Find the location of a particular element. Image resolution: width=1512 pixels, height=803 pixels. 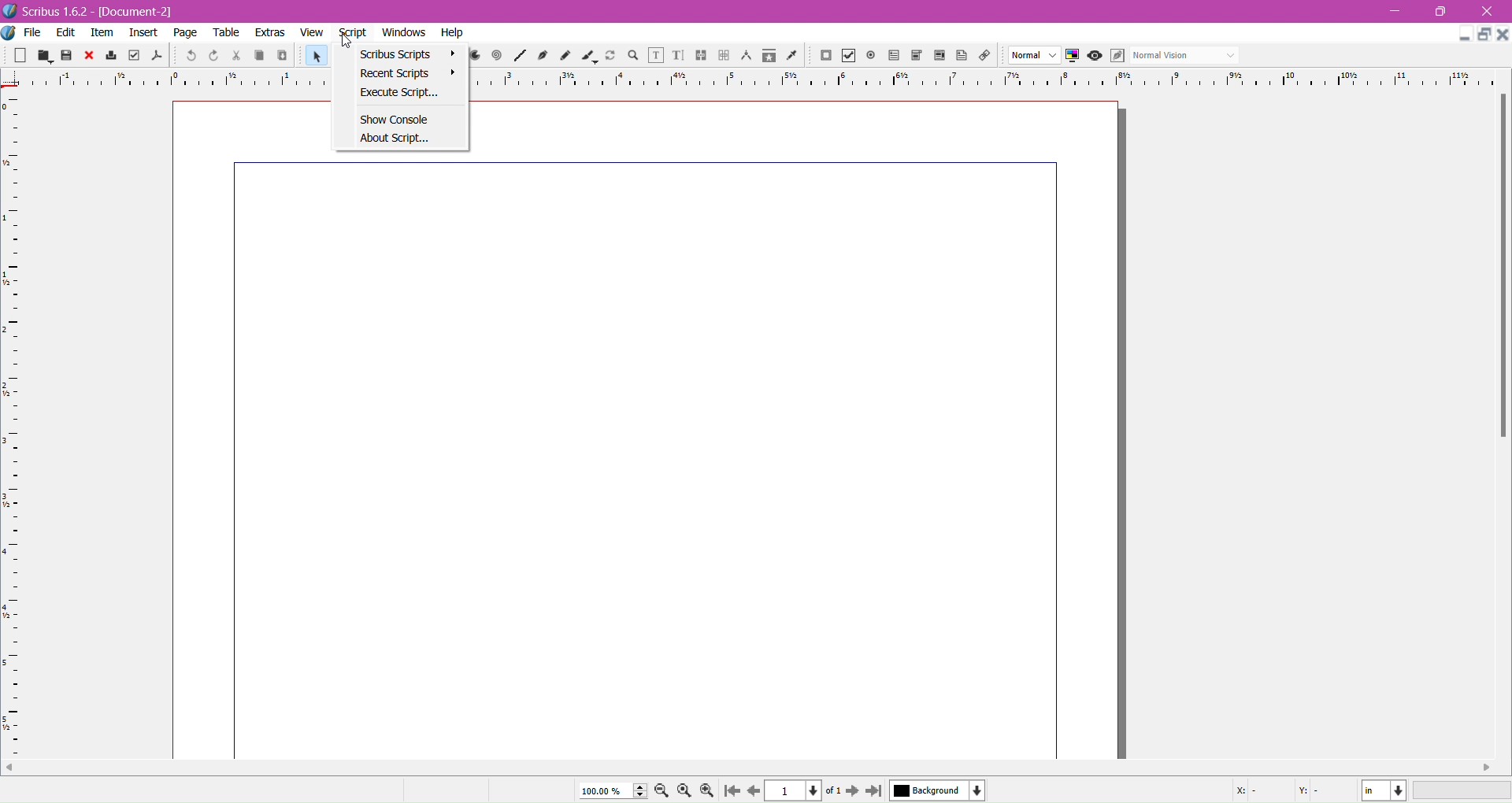

Minimize is located at coordinates (1395, 13).